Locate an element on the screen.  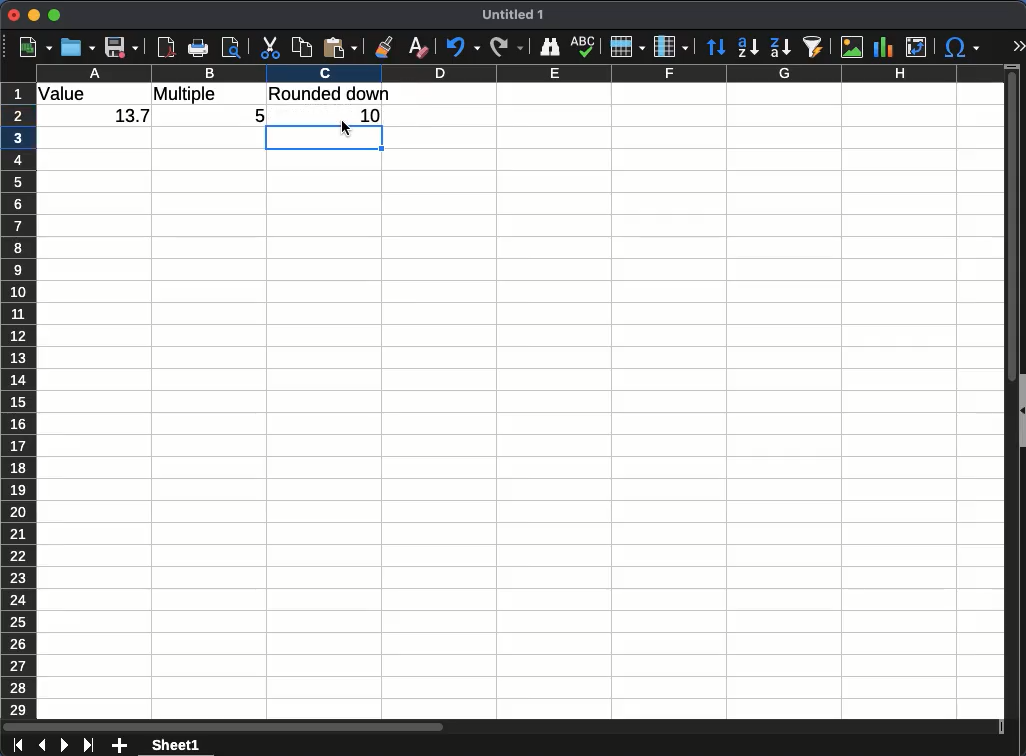
print is located at coordinates (198, 47).